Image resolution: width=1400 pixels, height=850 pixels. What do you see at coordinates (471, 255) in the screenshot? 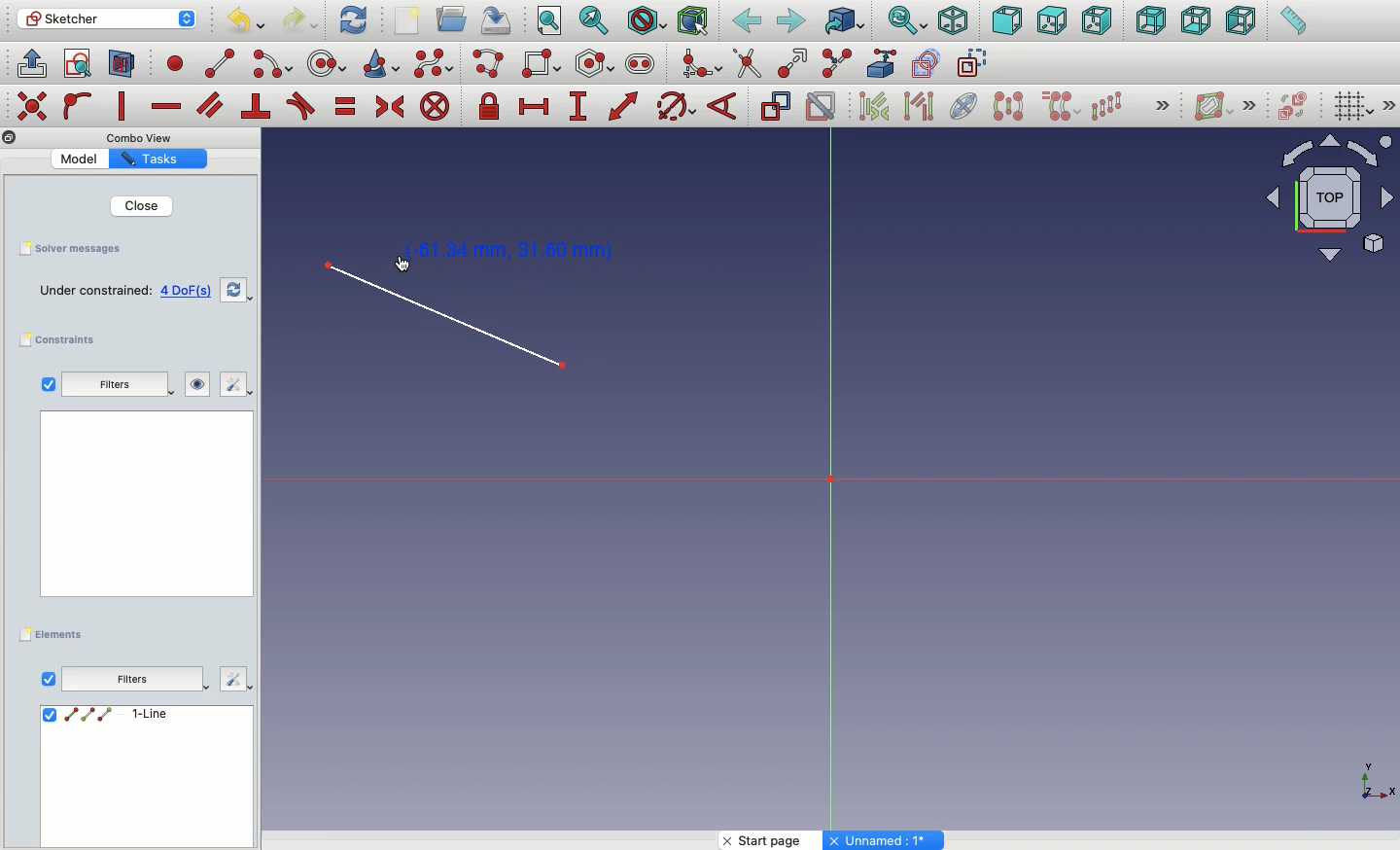
I see `Click` at bounding box center [471, 255].